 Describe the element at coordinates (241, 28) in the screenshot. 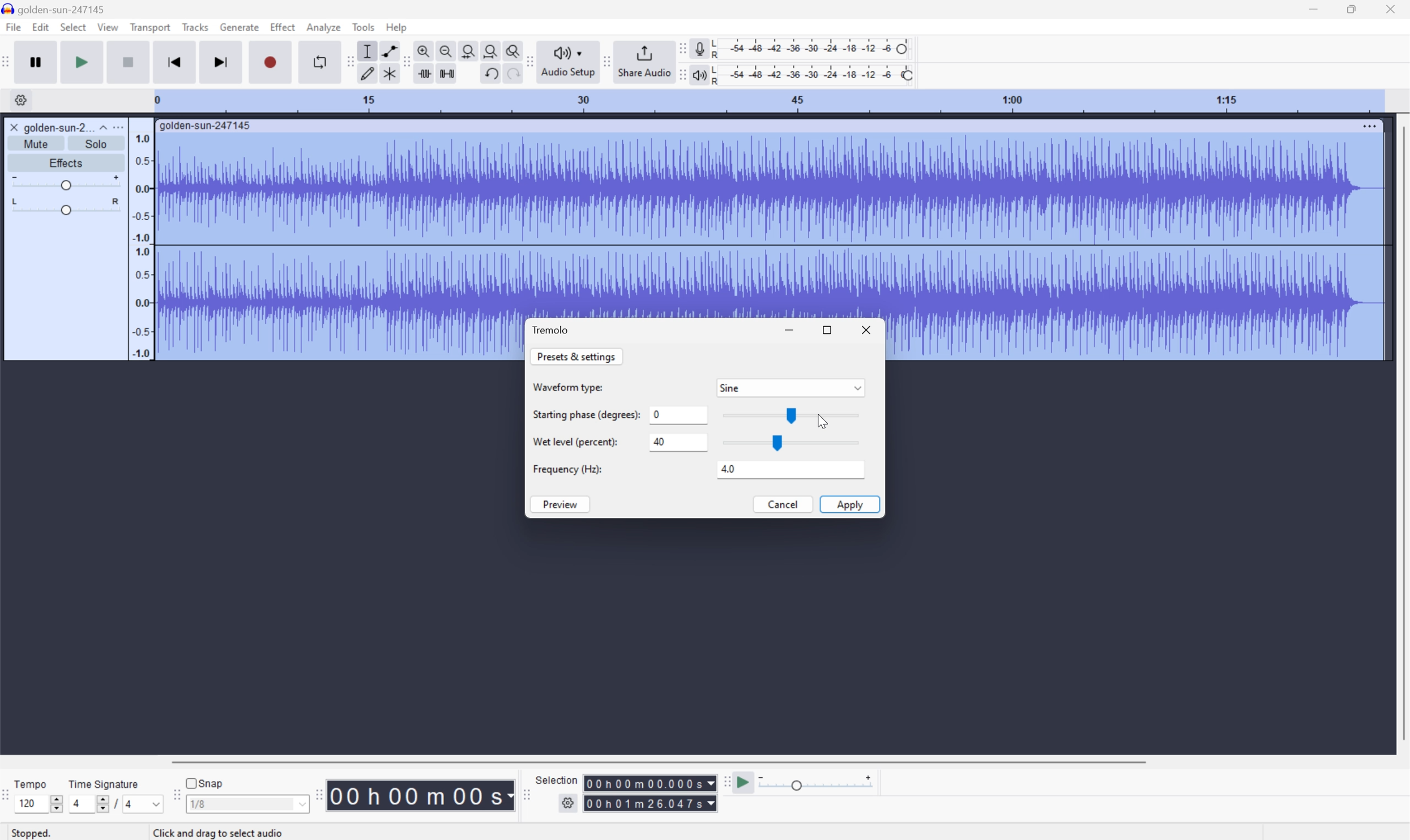

I see `Generate` at that location.